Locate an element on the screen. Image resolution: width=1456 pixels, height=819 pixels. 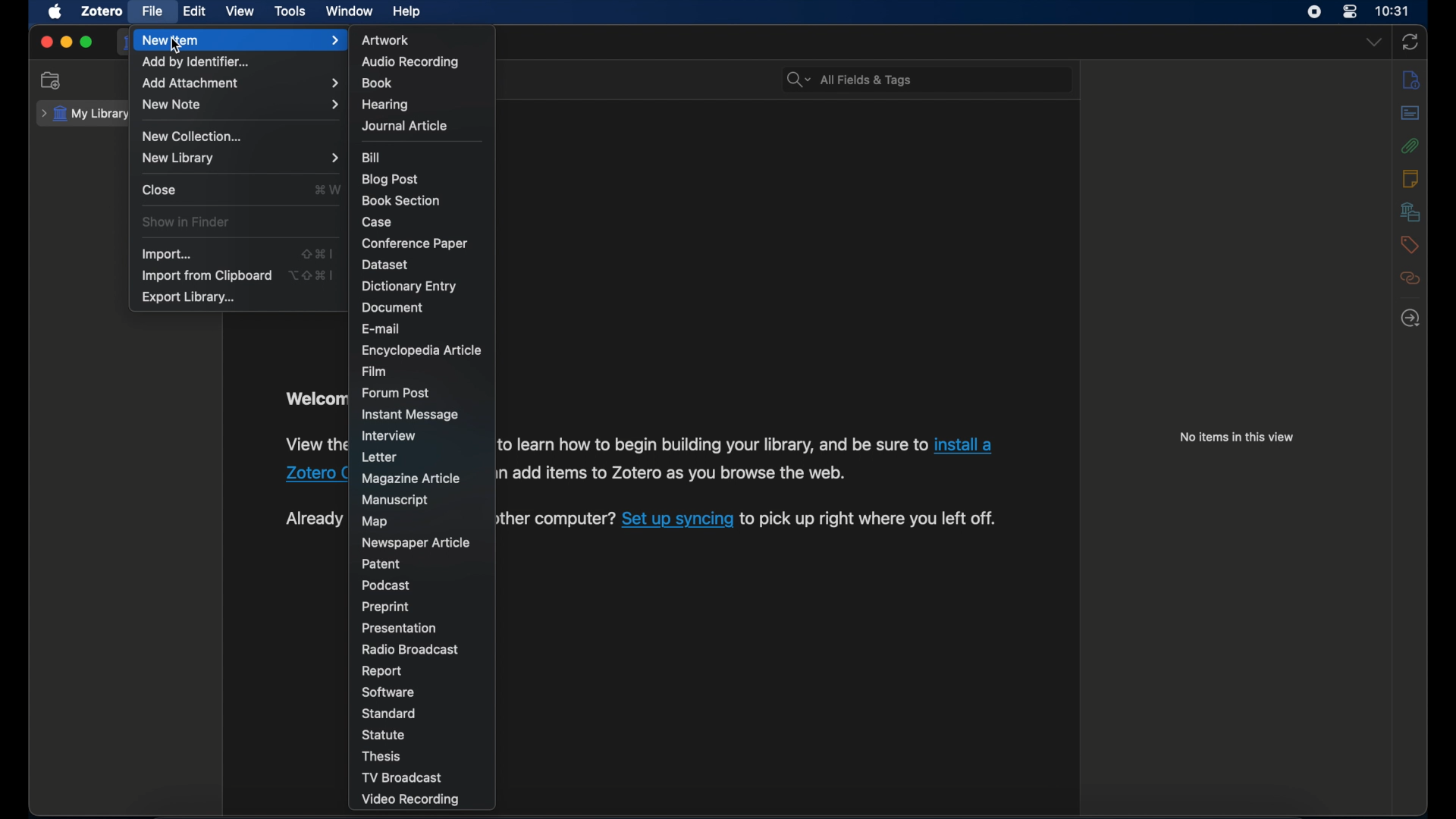
standard is located at coordinates (388, 713).